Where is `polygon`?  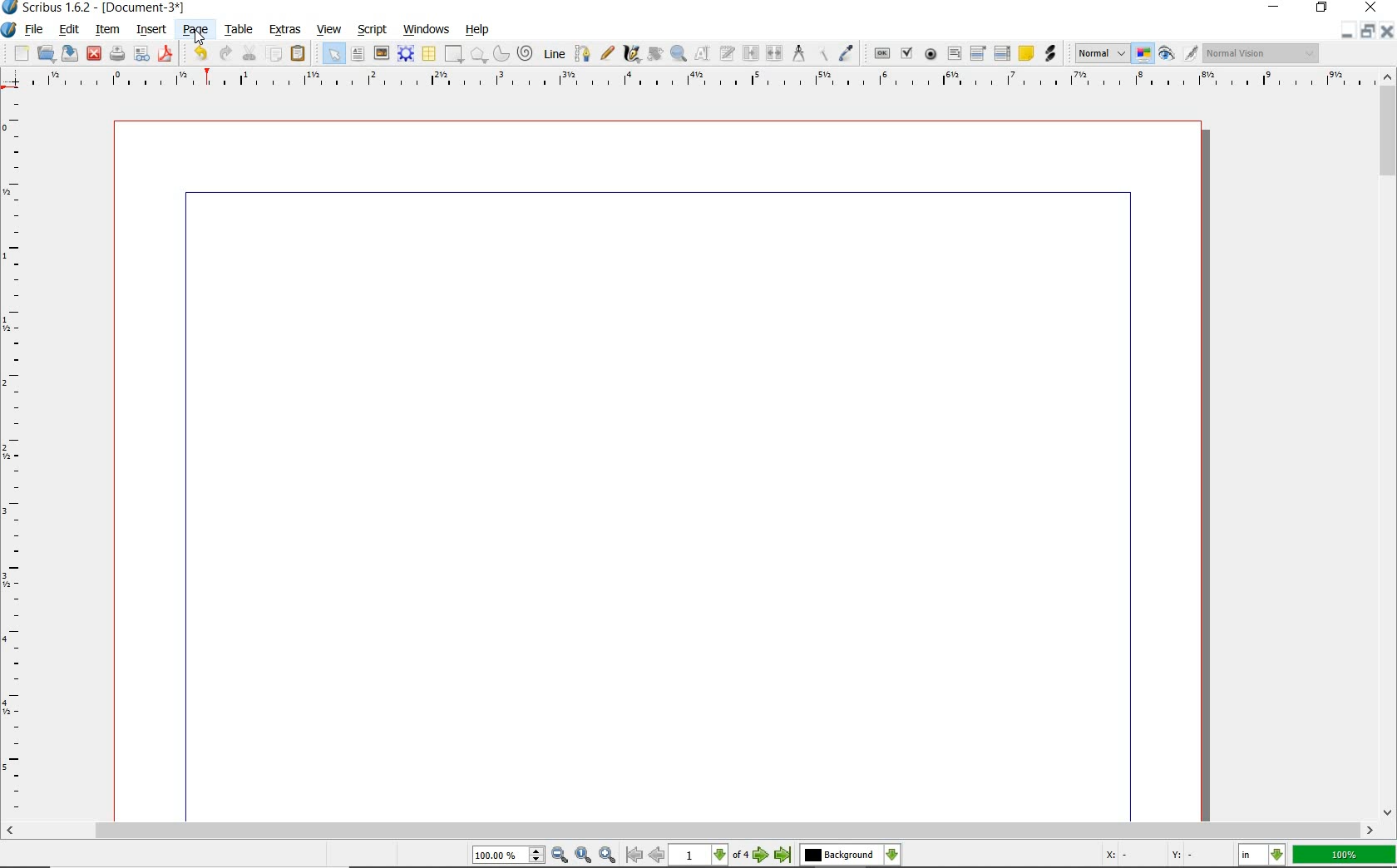 polygon is located at coordinates (477, 55).